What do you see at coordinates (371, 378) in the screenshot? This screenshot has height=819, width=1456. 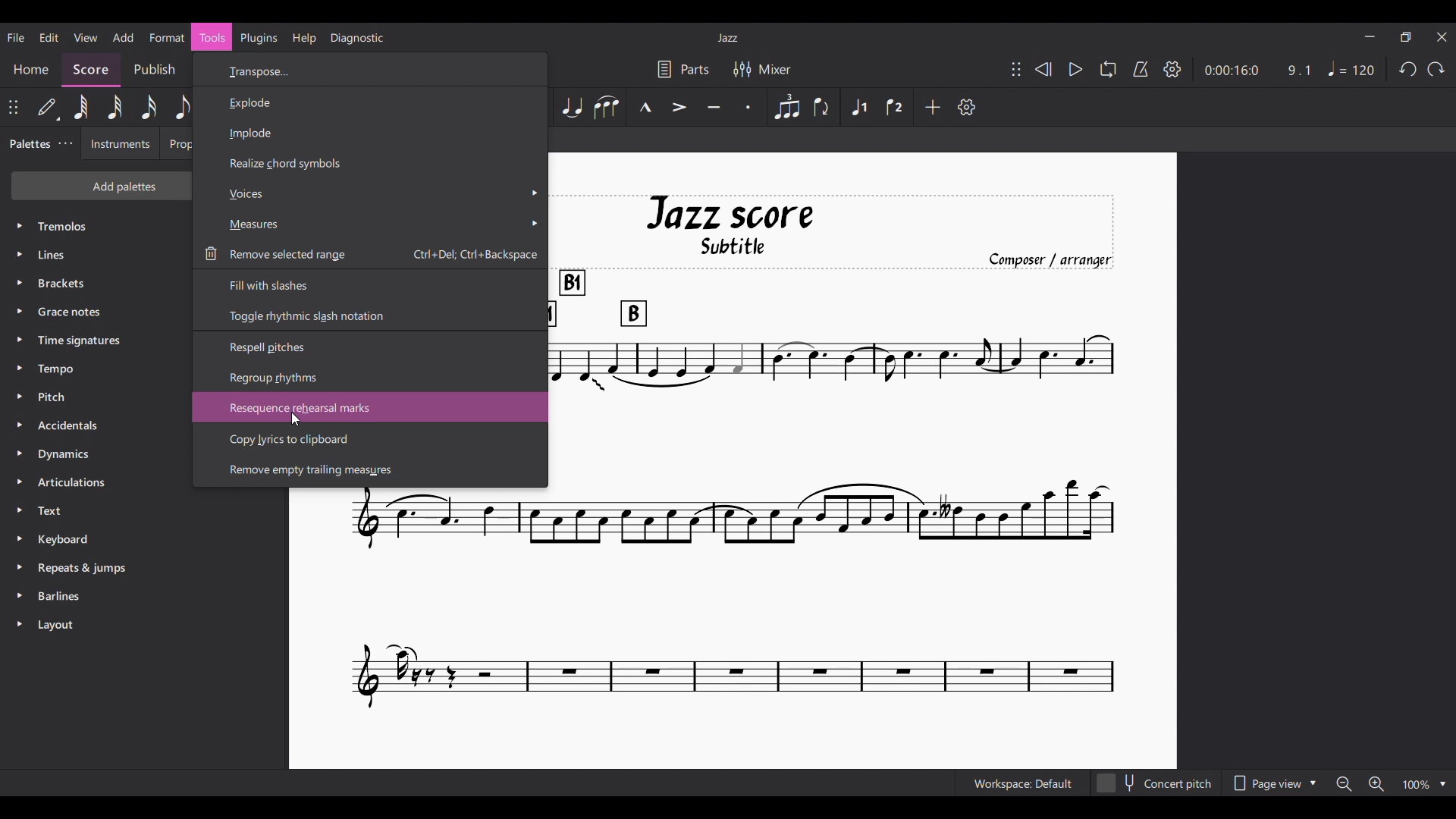 I see `Regroup rhythms` at bounding box center [371, 378].